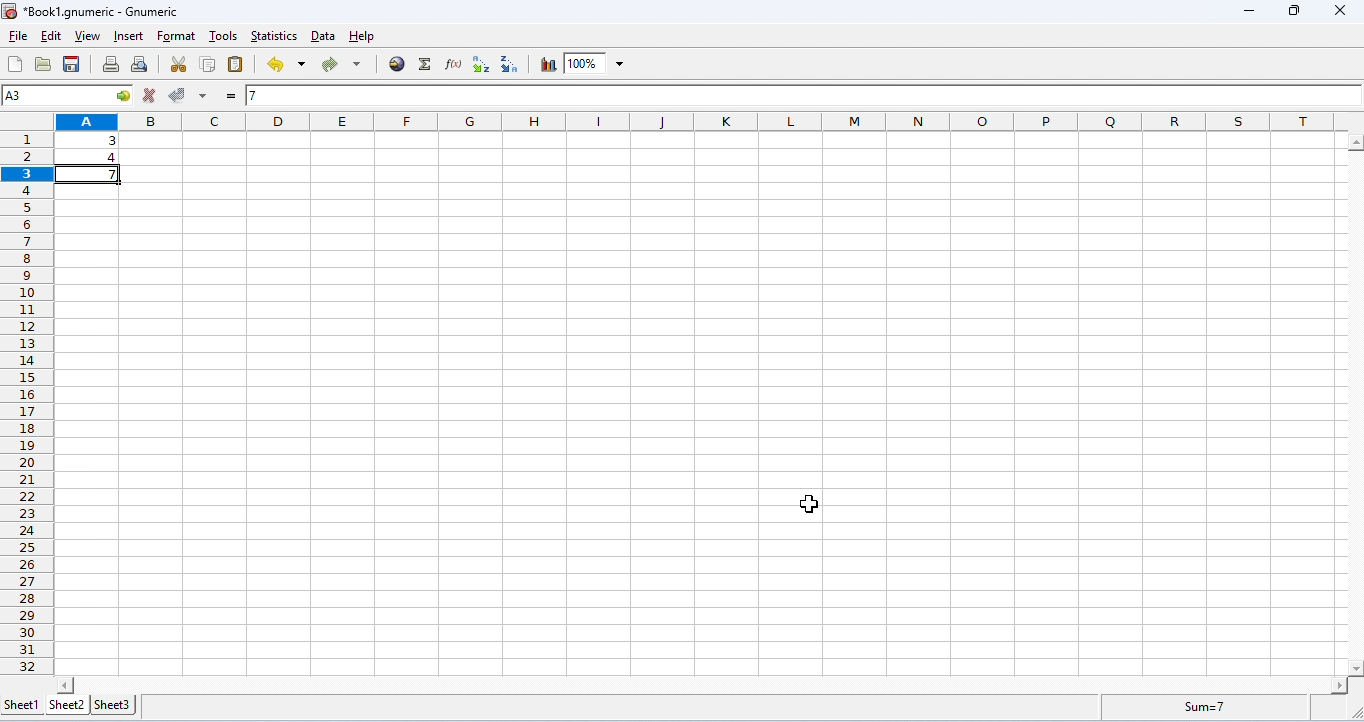 Image resolution: width=1364 pixels, height=722 pixels. Describe the element at coordinates (176, 65) in the screenshot. I see `cut` at that location.